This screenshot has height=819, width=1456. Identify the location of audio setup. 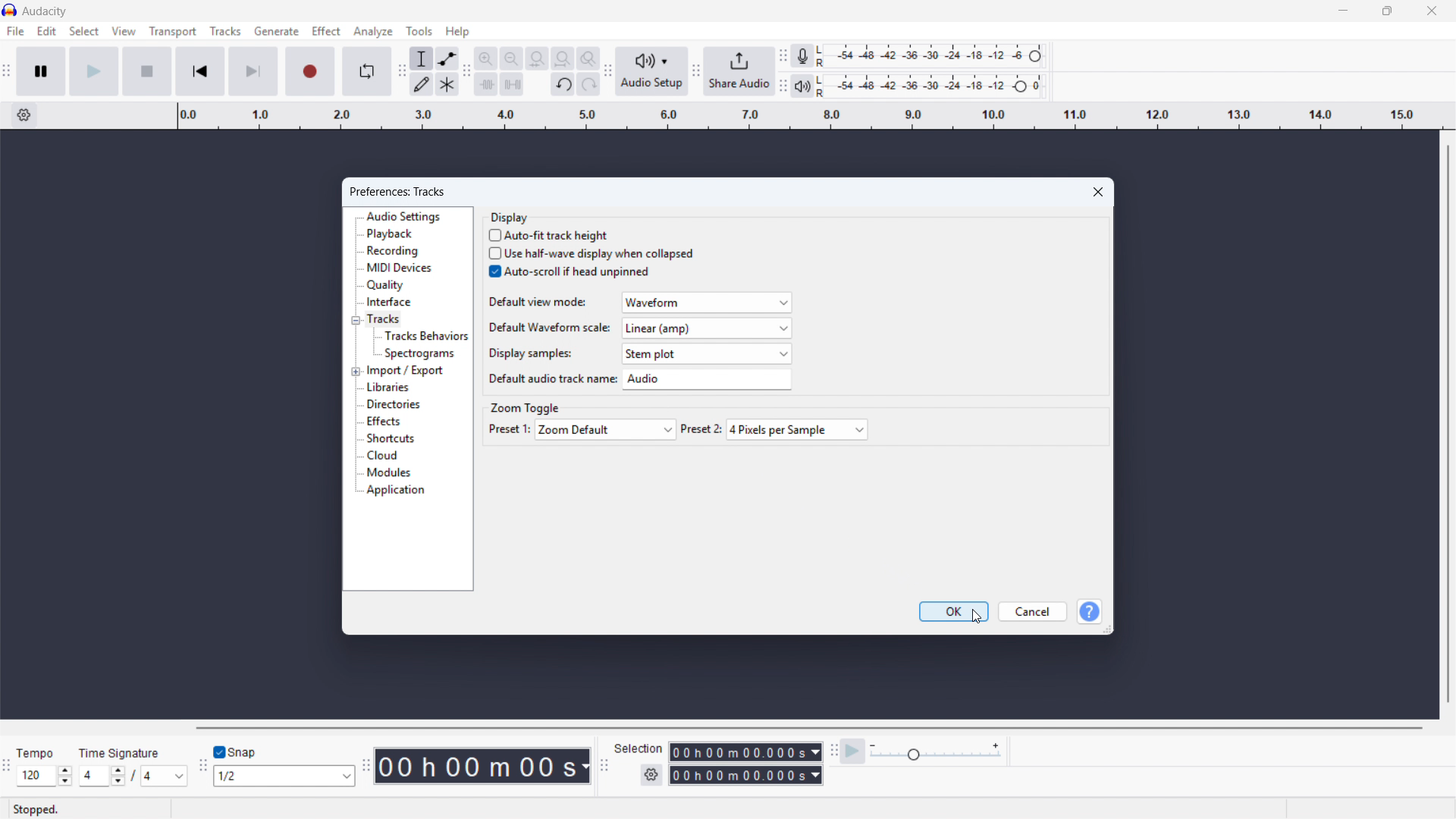
(652, 71).